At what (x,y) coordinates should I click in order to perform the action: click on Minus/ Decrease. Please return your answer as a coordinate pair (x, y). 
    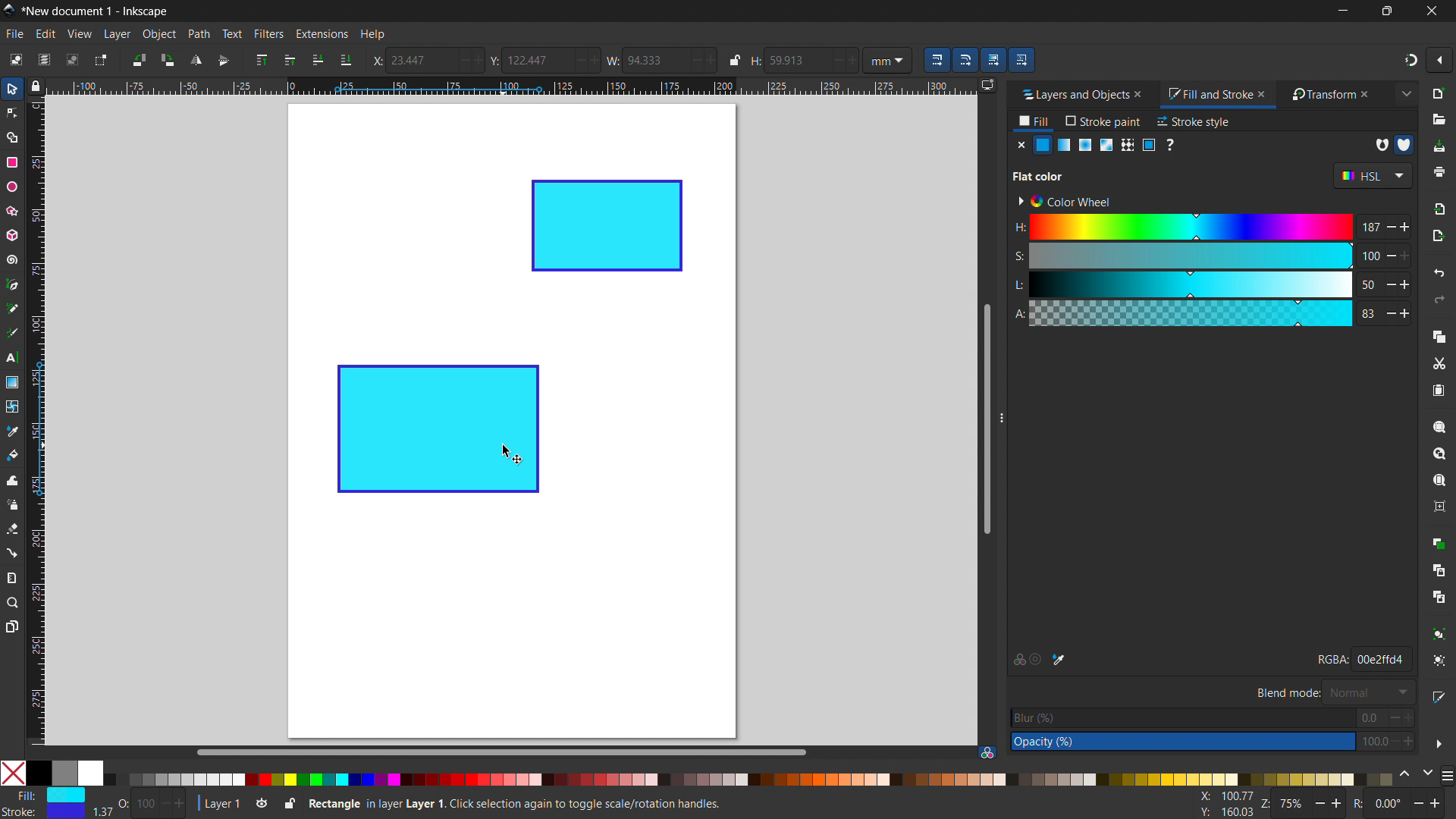
    Looking at the image, I should click on (578, 59).